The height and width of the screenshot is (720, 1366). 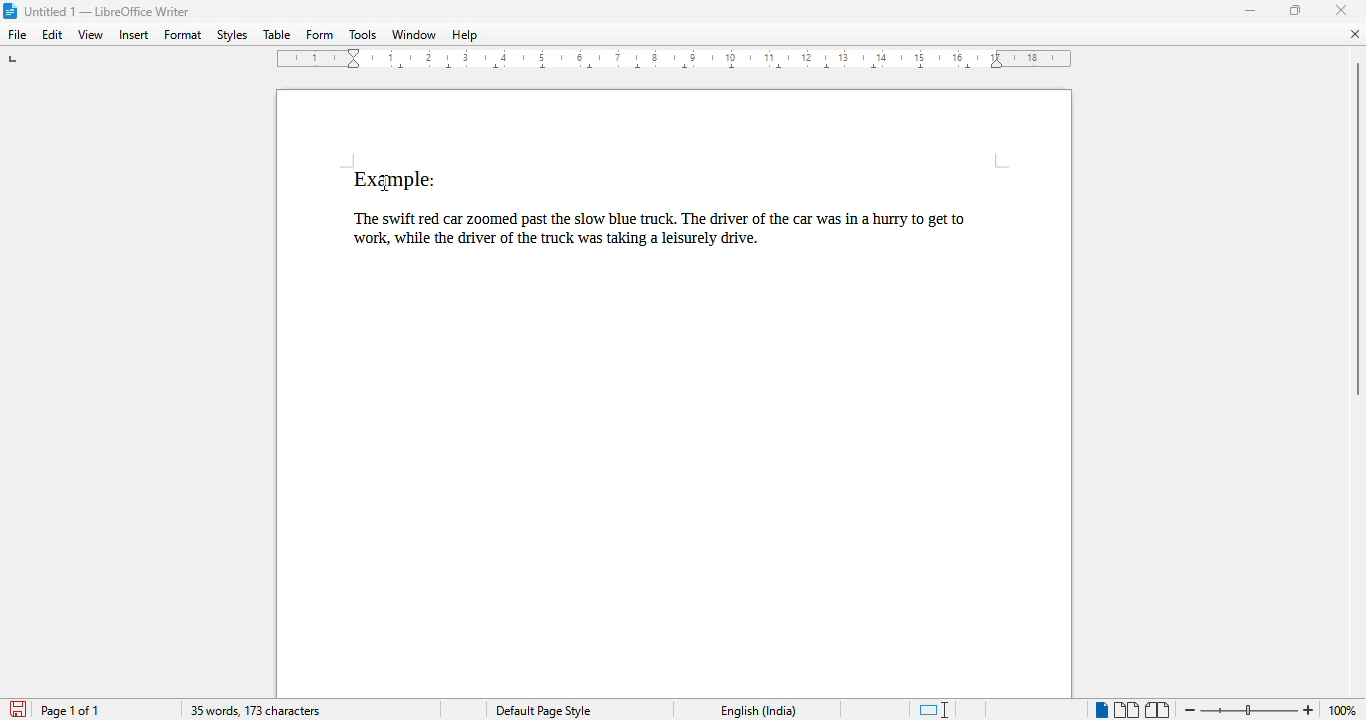 I want to click on book view, so click(x=1158, y=710).